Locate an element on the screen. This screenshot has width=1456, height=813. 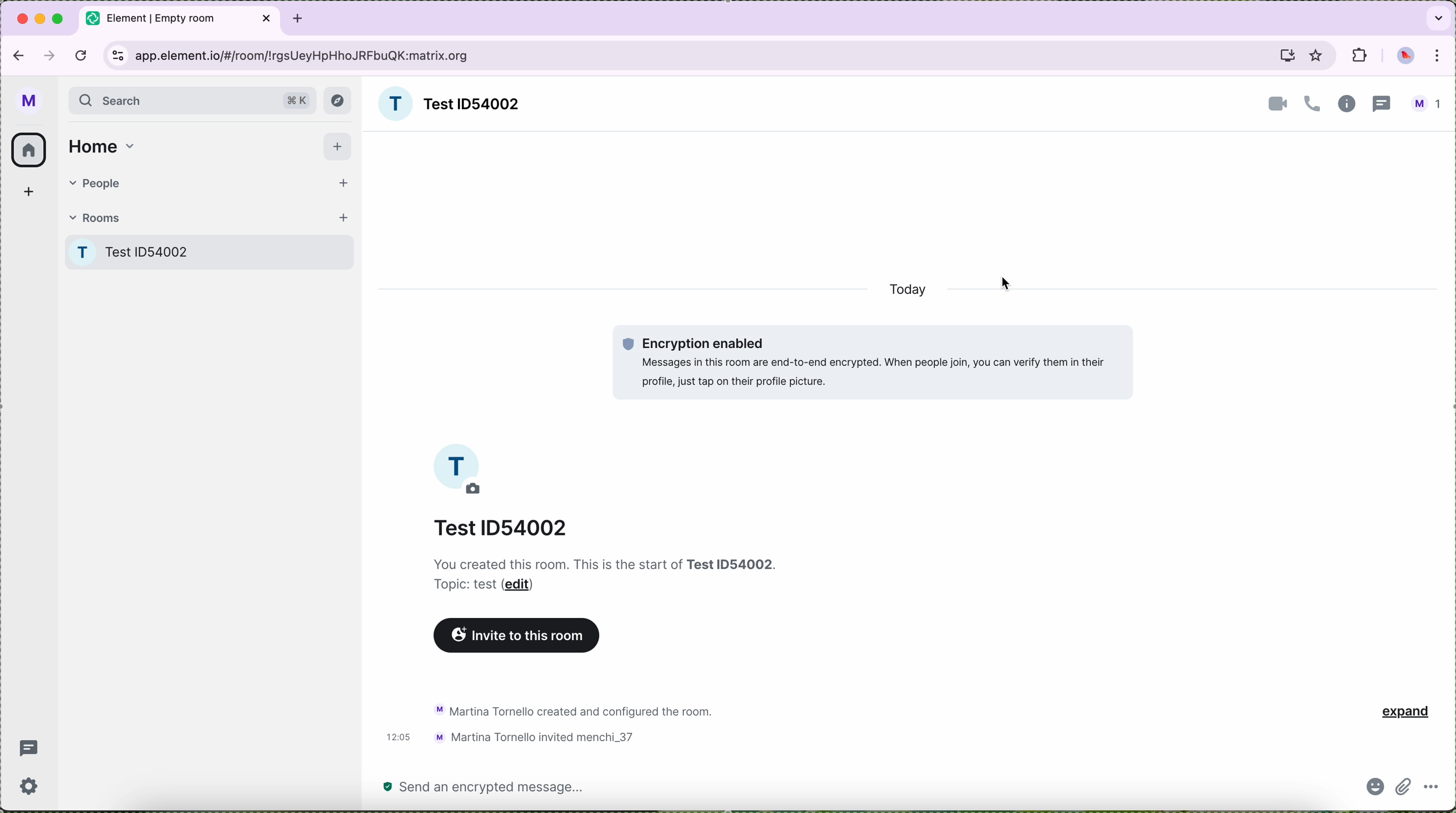
profile picture is located at coordinates (1408, 56).